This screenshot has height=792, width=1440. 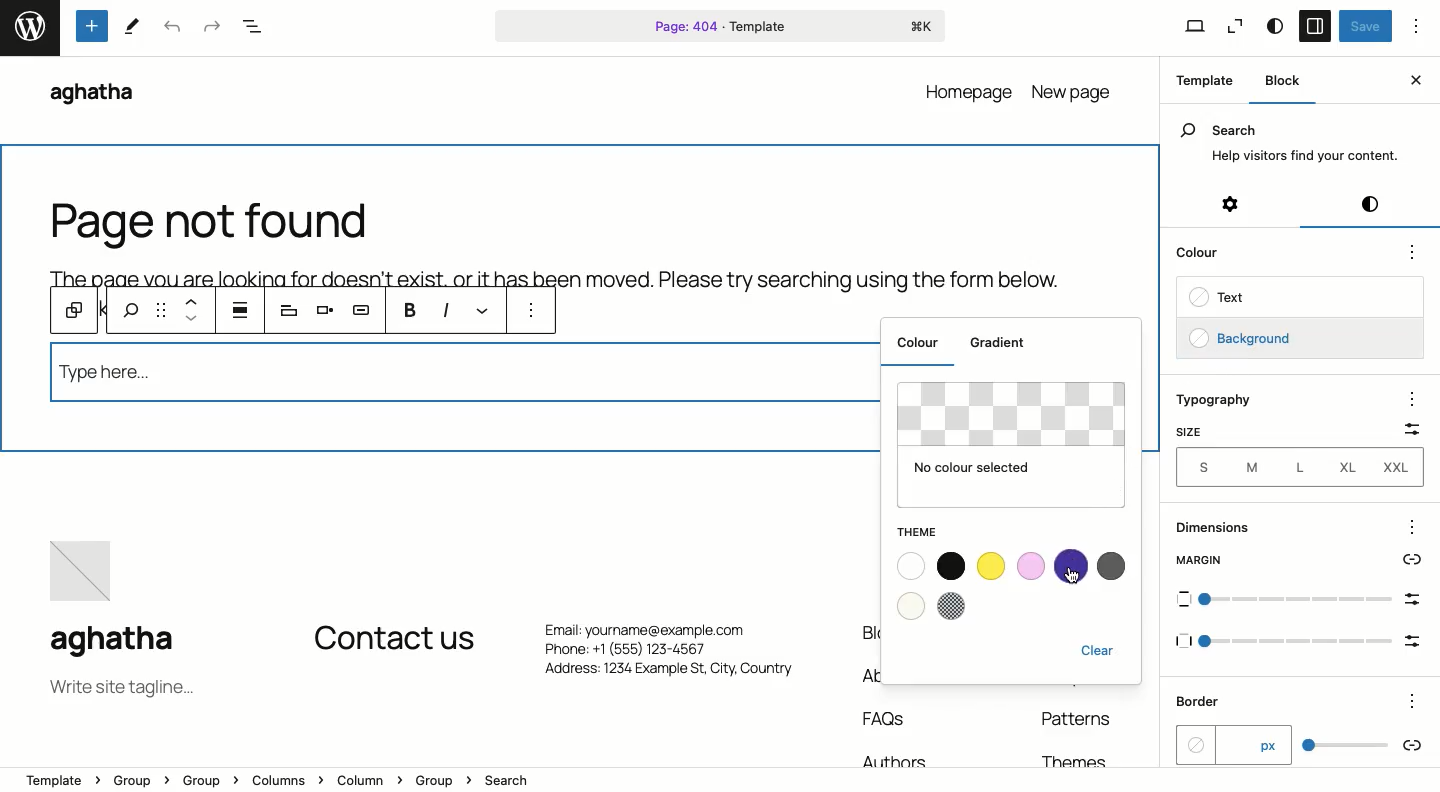 I want to click on options, so click(x=1413, y=399).